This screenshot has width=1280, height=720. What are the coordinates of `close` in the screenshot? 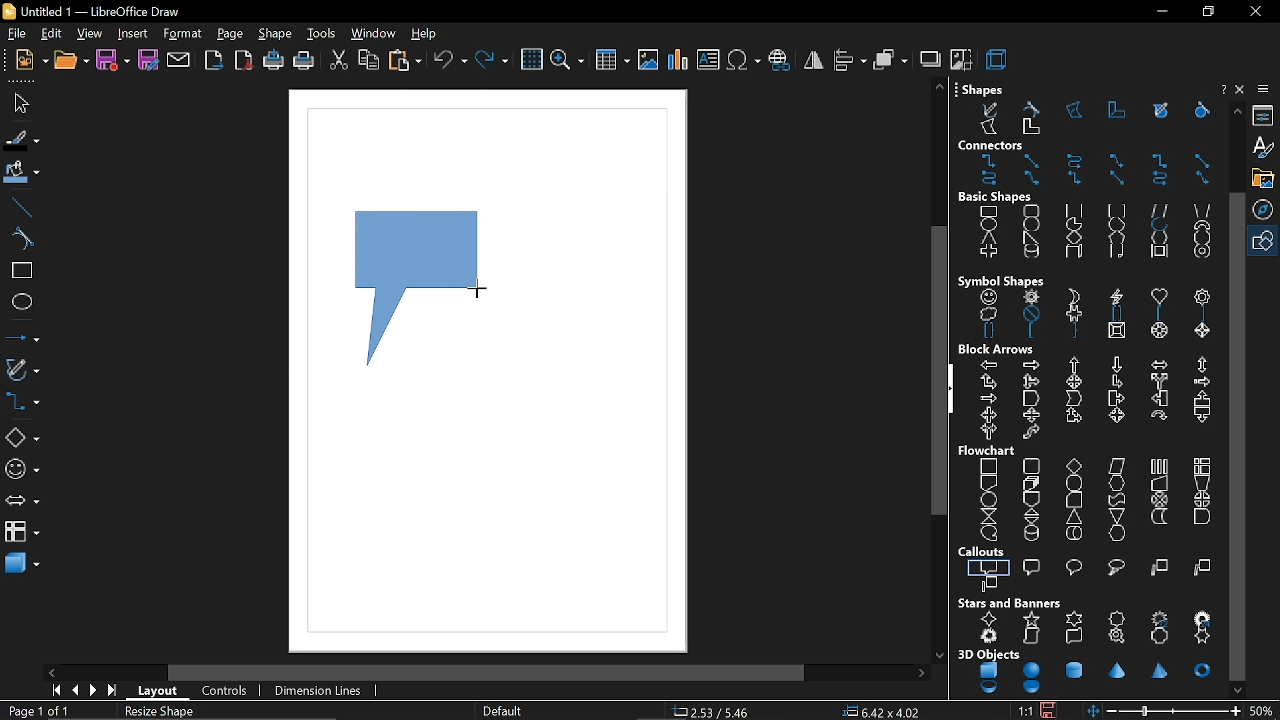 It's located at (1241, 90).